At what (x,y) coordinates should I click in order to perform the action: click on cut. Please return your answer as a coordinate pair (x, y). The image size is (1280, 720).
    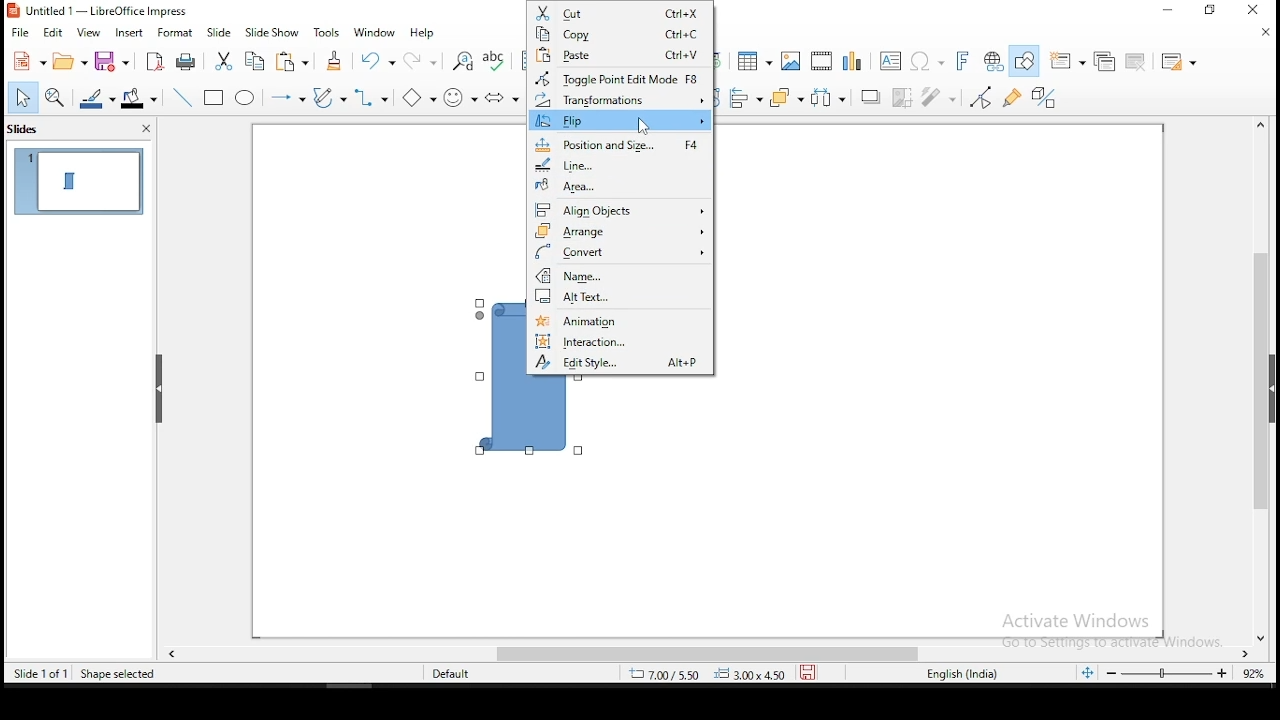
    Looking at the image, I should click on (621, 12).